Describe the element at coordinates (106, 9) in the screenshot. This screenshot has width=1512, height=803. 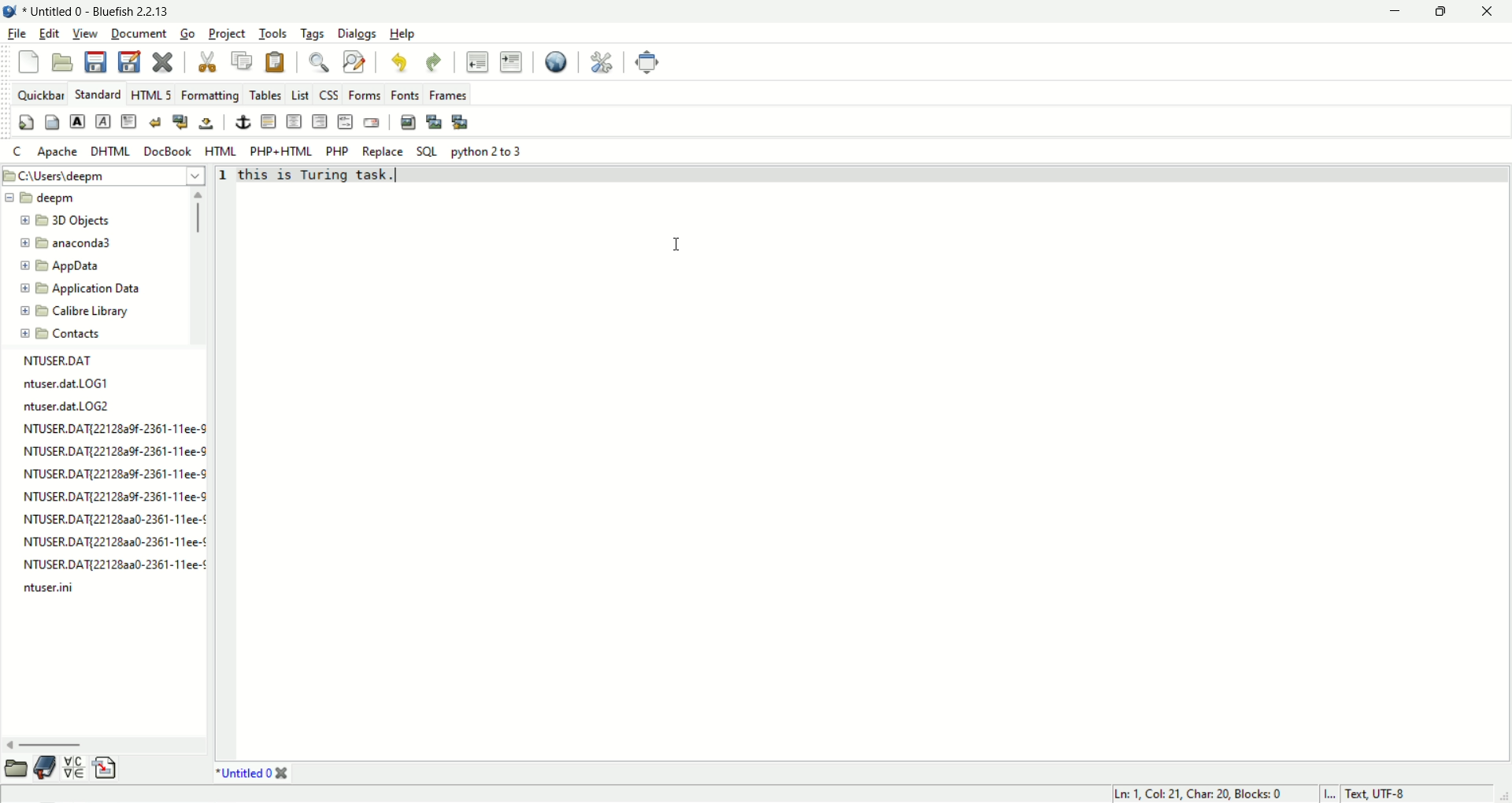
I see `document name` at that location.